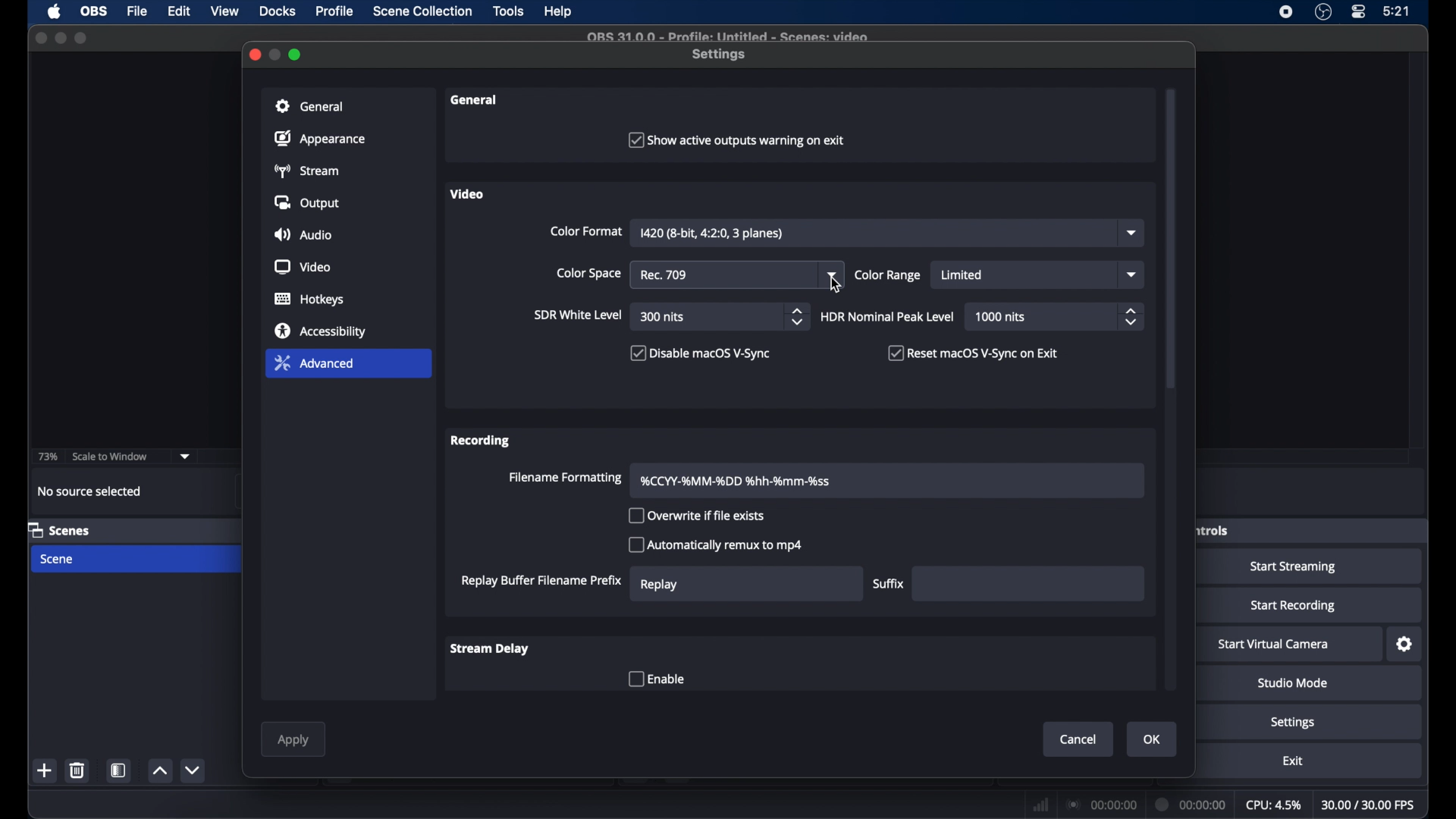 The image size is (1456, 819). What do you see at coordinates (1131, 275) in the screenshot?
I see `dropdown` at bounding box center [1131, 275].